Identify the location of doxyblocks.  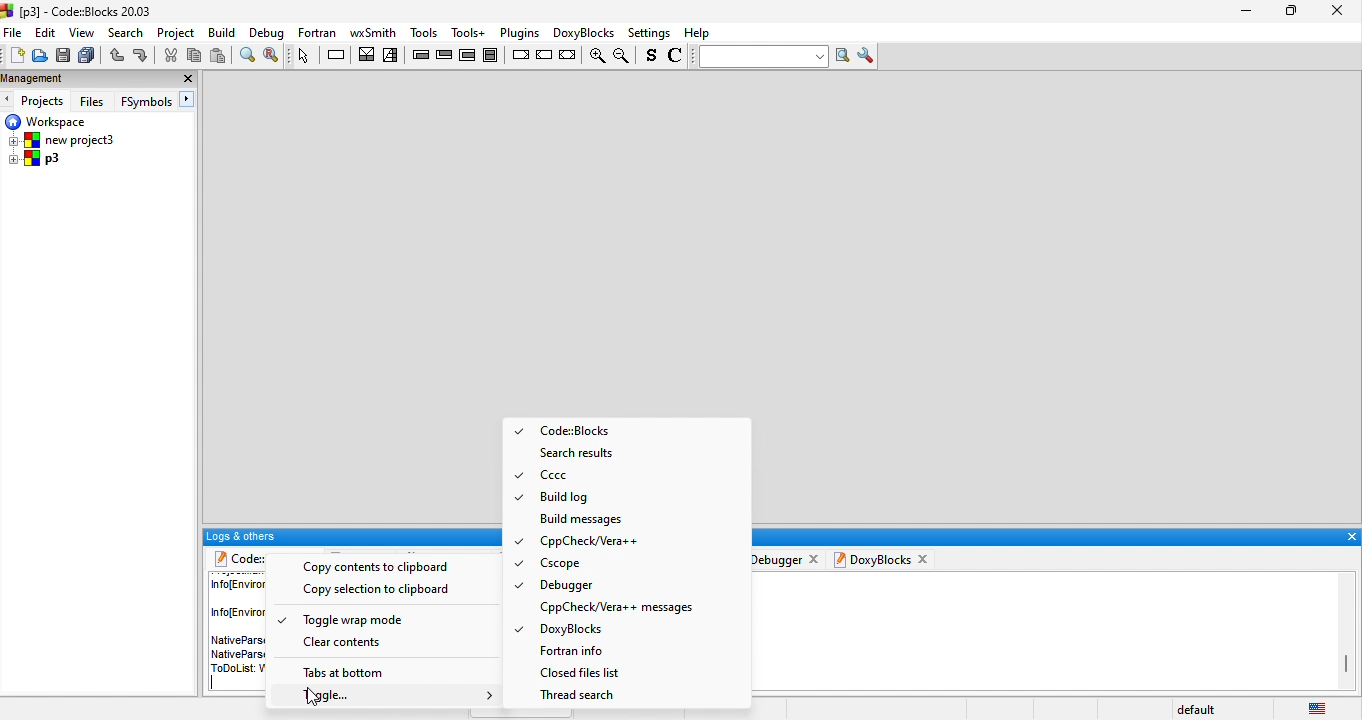
(581, 32).